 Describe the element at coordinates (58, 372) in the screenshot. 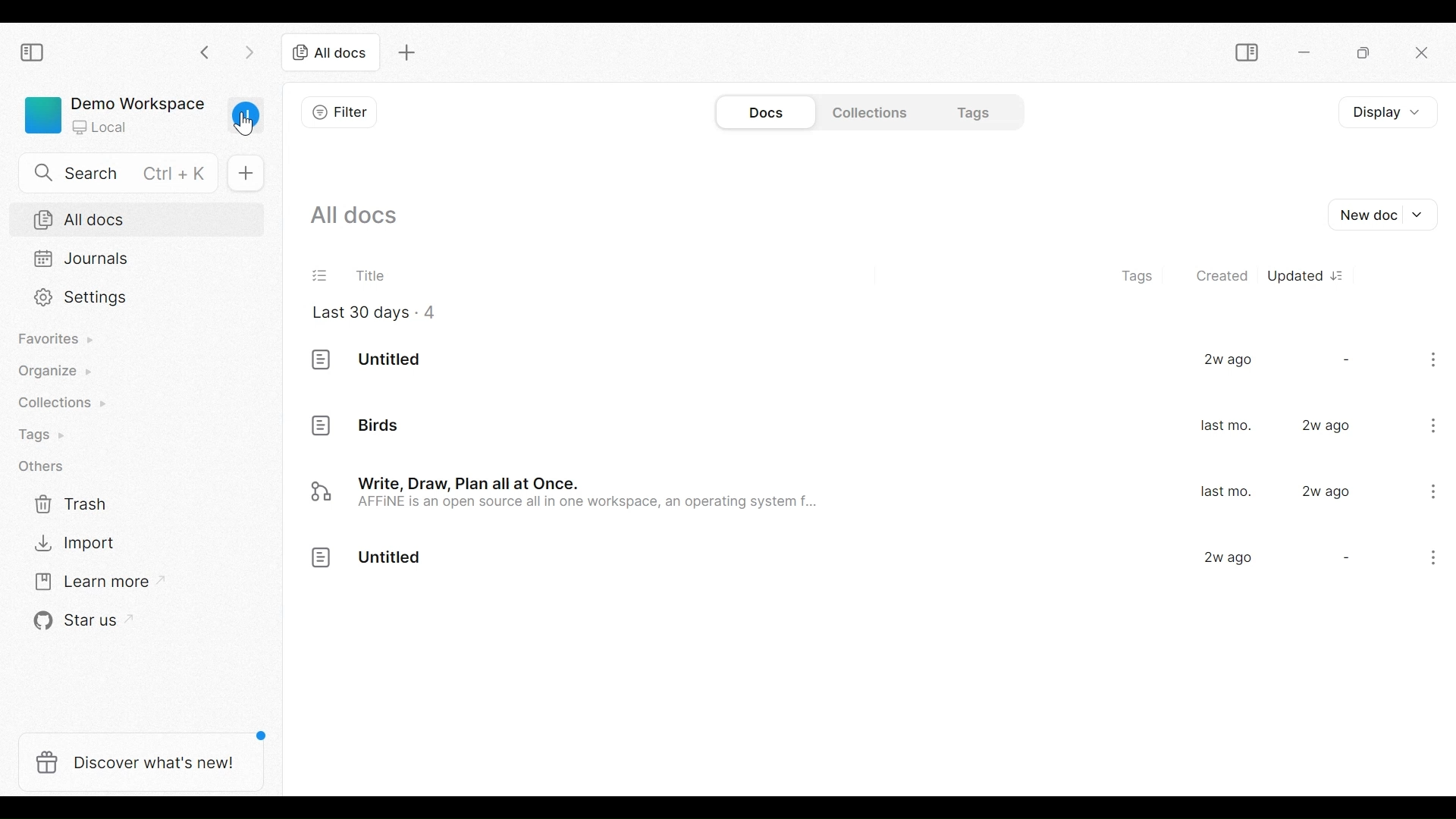

I see `Organize` at that location.